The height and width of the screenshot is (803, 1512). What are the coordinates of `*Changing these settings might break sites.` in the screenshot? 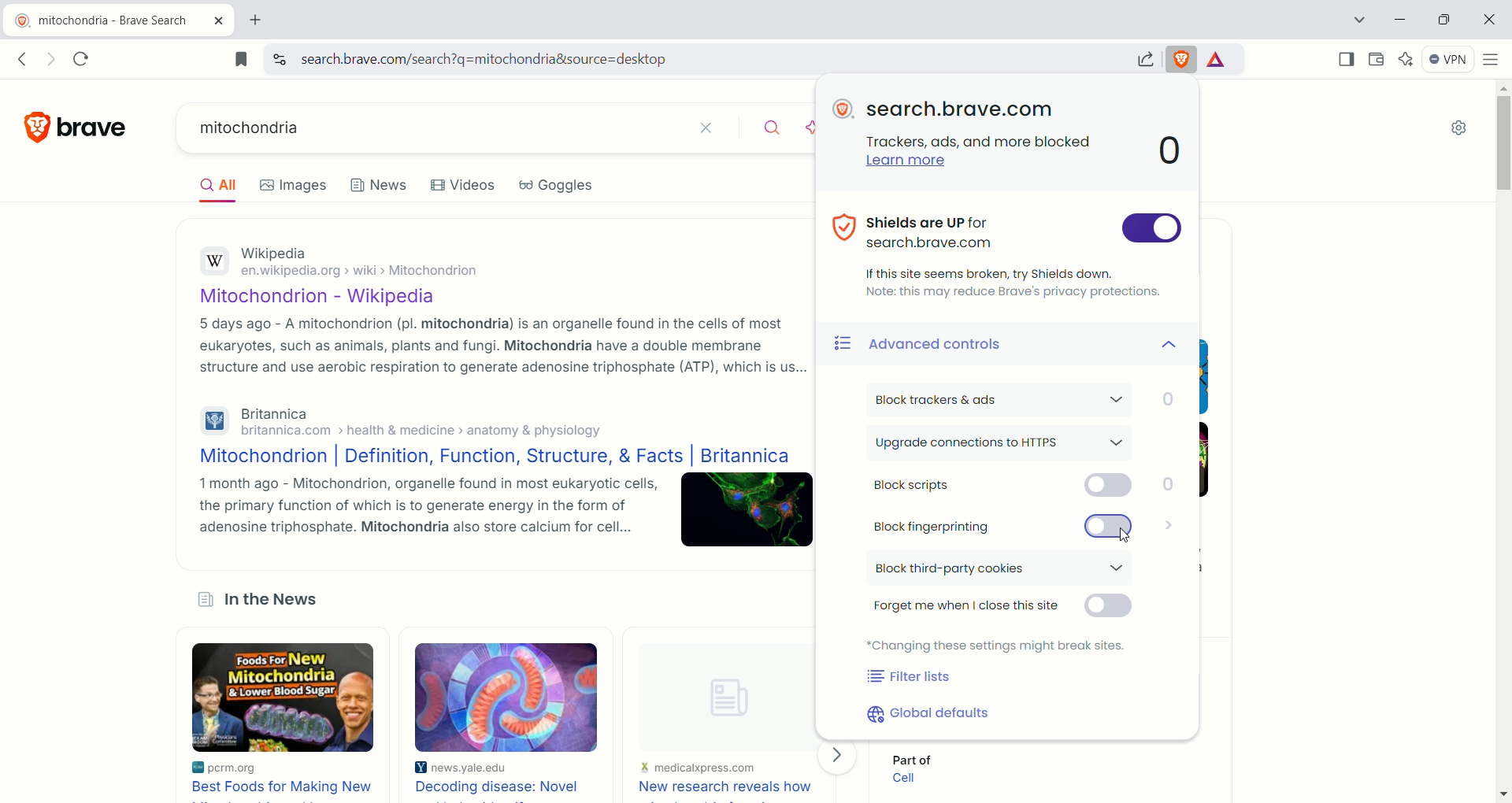 It's located at (998, 645).